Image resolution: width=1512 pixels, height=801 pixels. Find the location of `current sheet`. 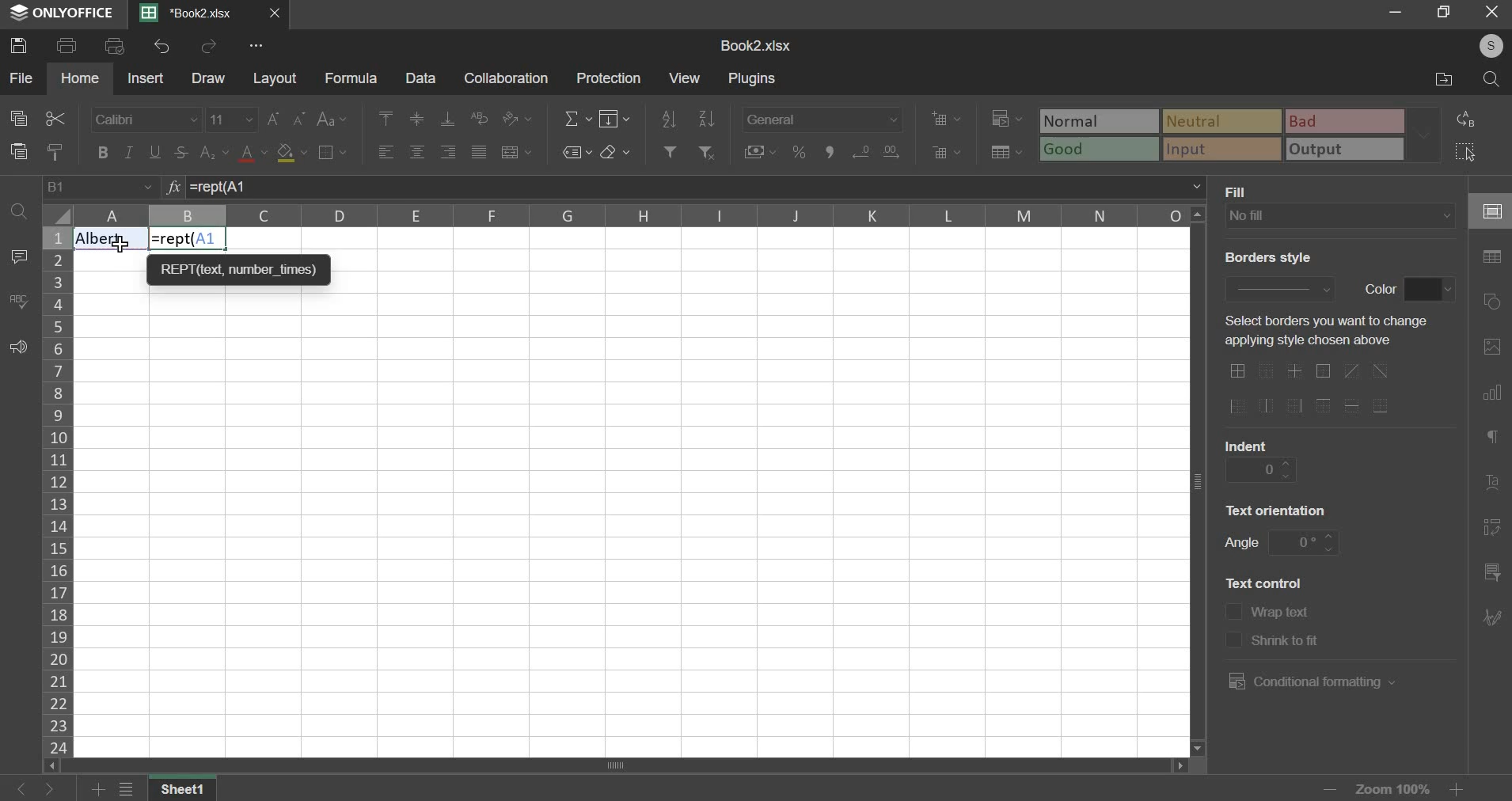

current sheet is located at coordinates (193, 14).